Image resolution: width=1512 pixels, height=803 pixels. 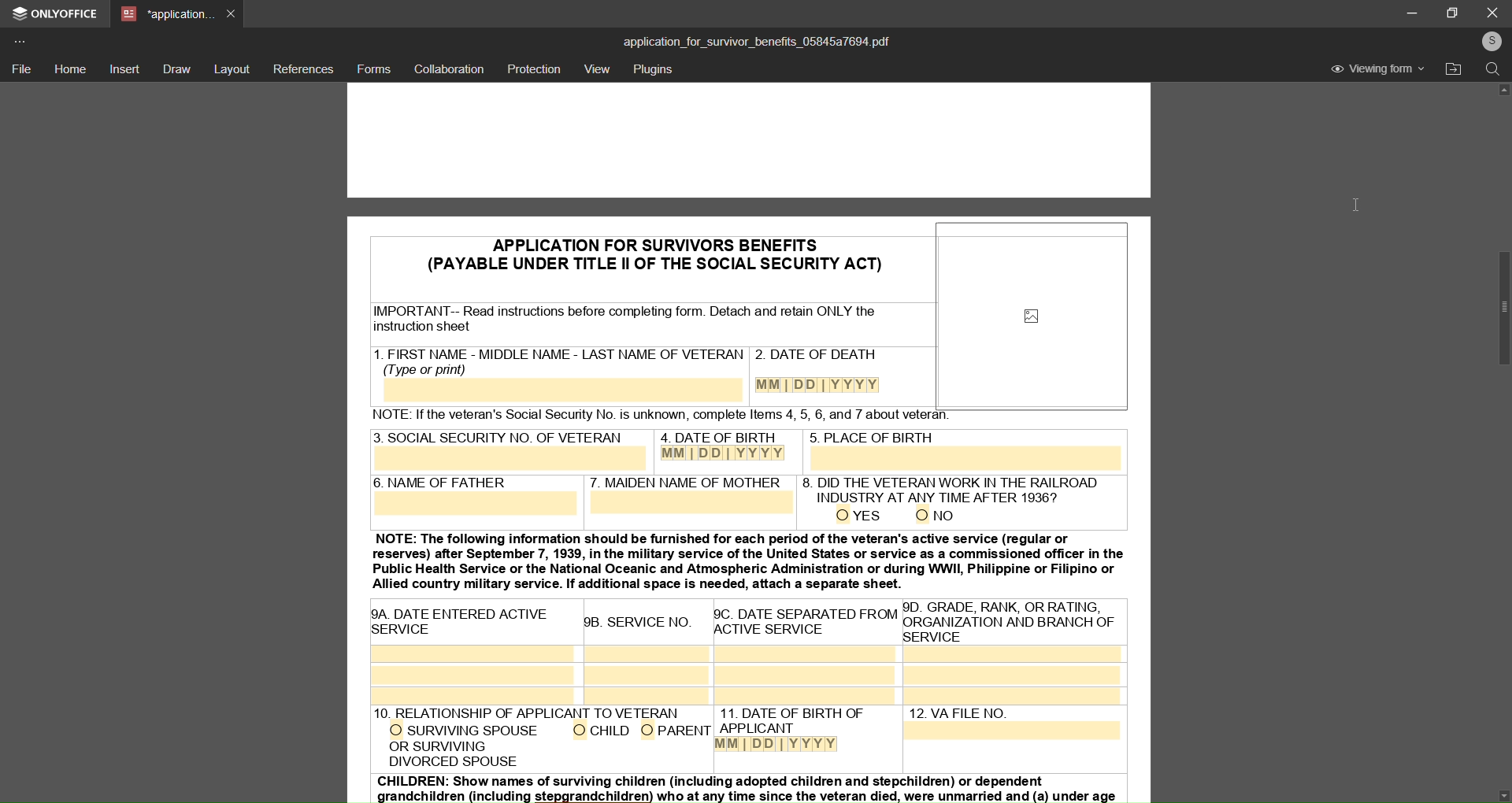 I want to click on search, so click(x=1492, y=72).